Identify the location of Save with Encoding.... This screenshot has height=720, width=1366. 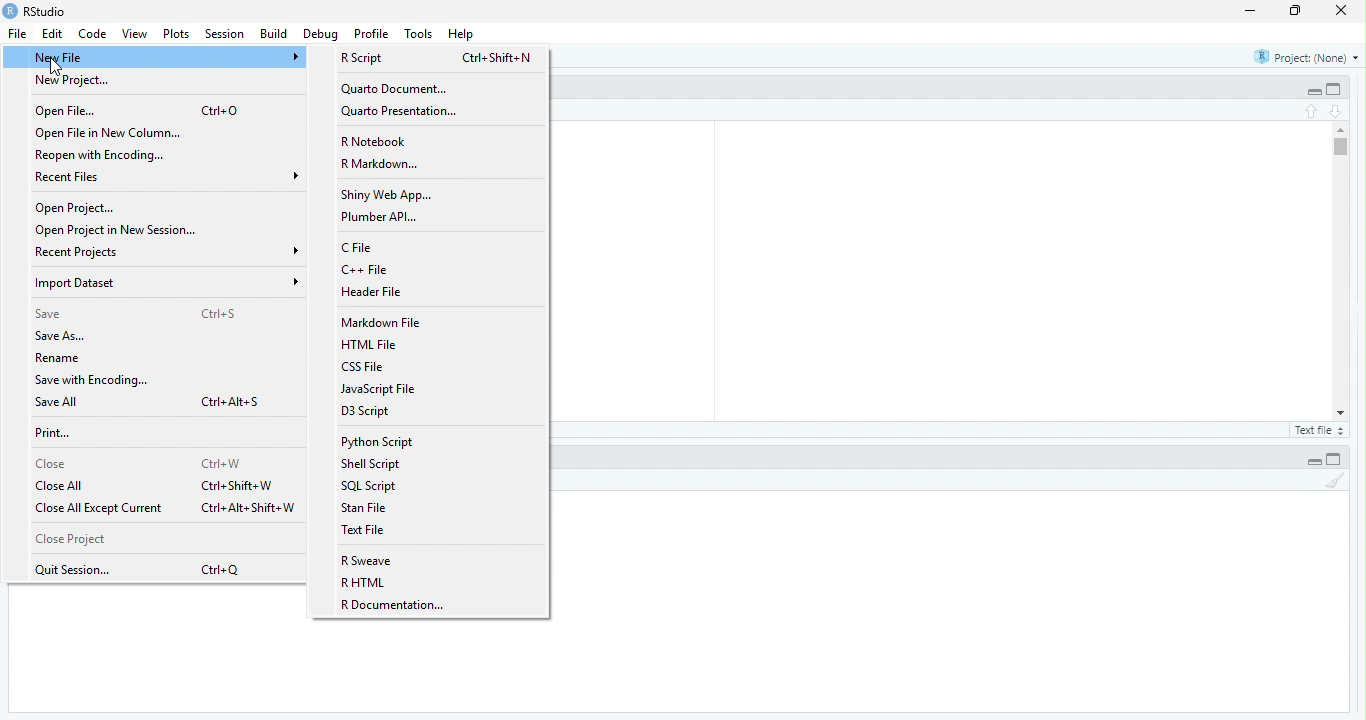
(92, 380).